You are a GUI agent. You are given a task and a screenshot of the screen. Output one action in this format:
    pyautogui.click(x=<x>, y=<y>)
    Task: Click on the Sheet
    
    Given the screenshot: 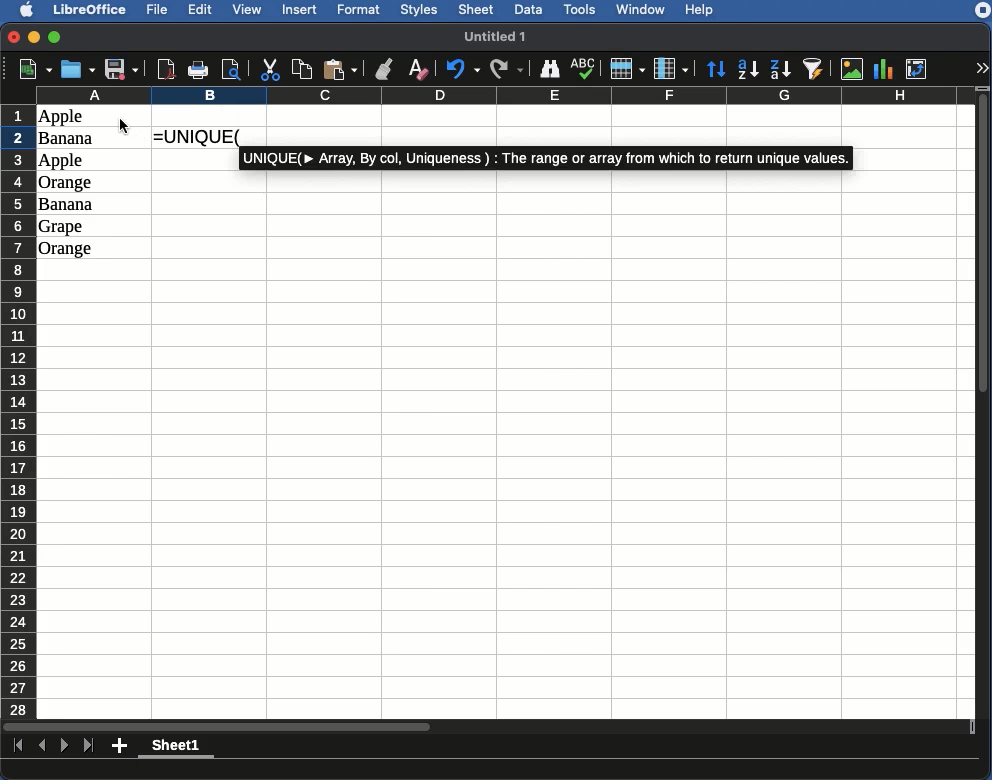 What is the action you would take?
    pyautogui.click(x=477, y=10)
    